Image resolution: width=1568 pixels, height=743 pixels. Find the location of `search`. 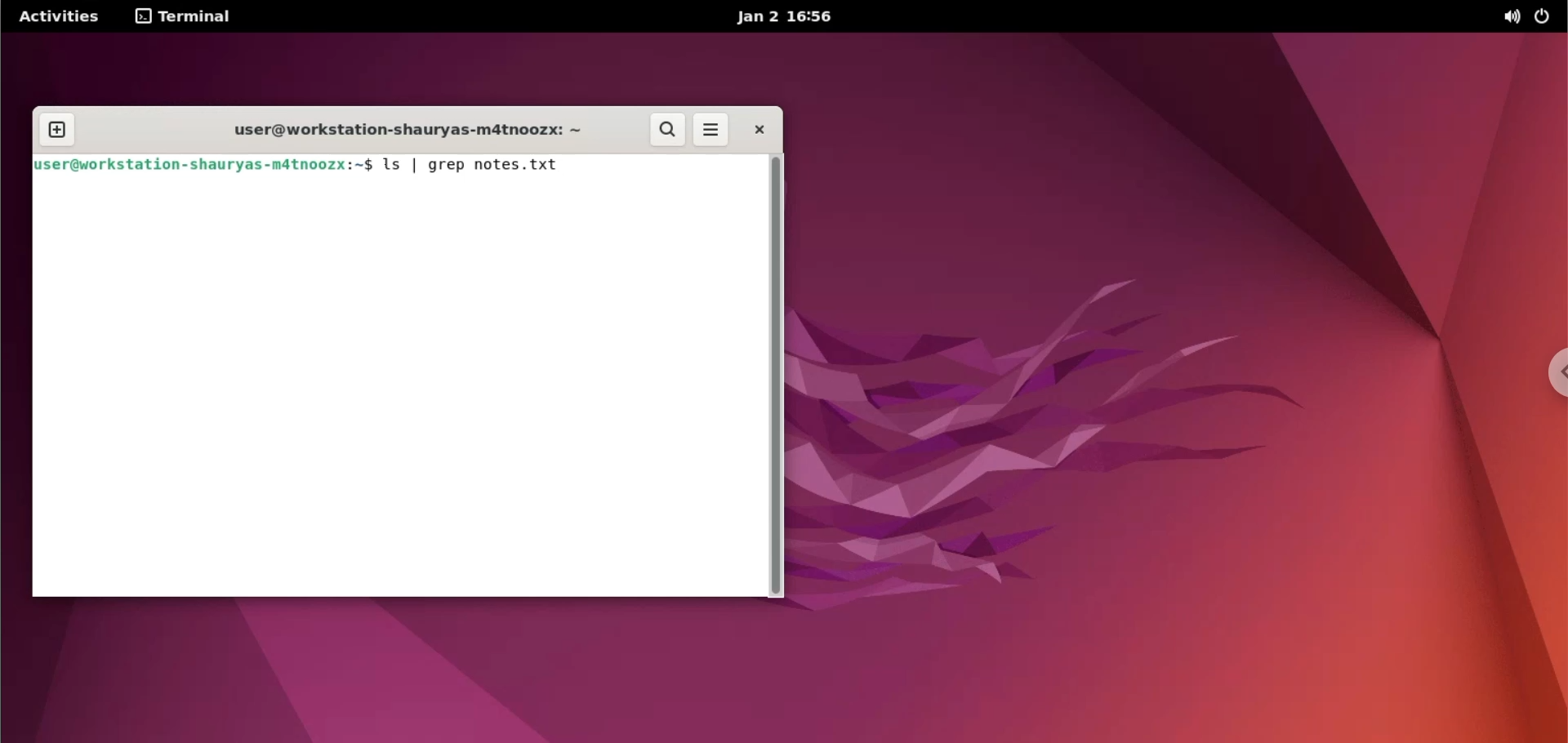

search is located at coordinates (664, 129).